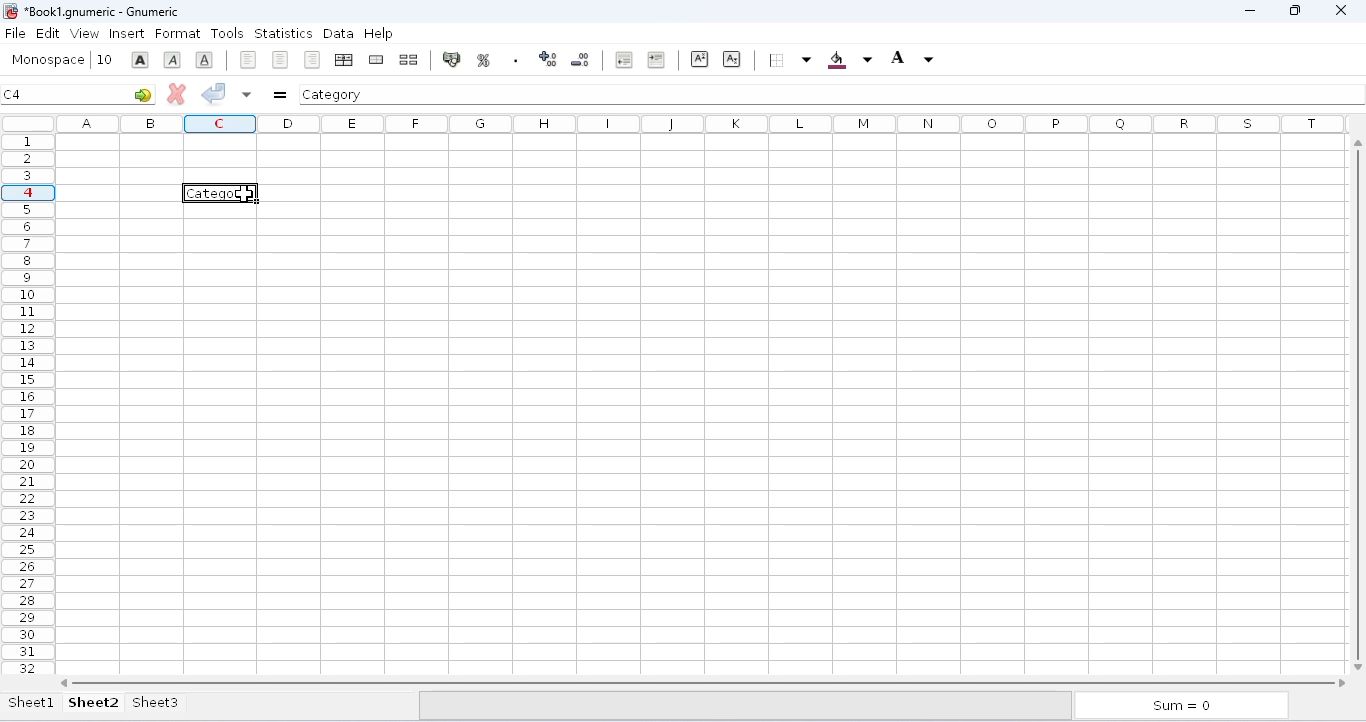 This screenshot has width=1366, height=722. Describe the element at coordinates (15, 33) in the screenshot. I see `file` at that location.